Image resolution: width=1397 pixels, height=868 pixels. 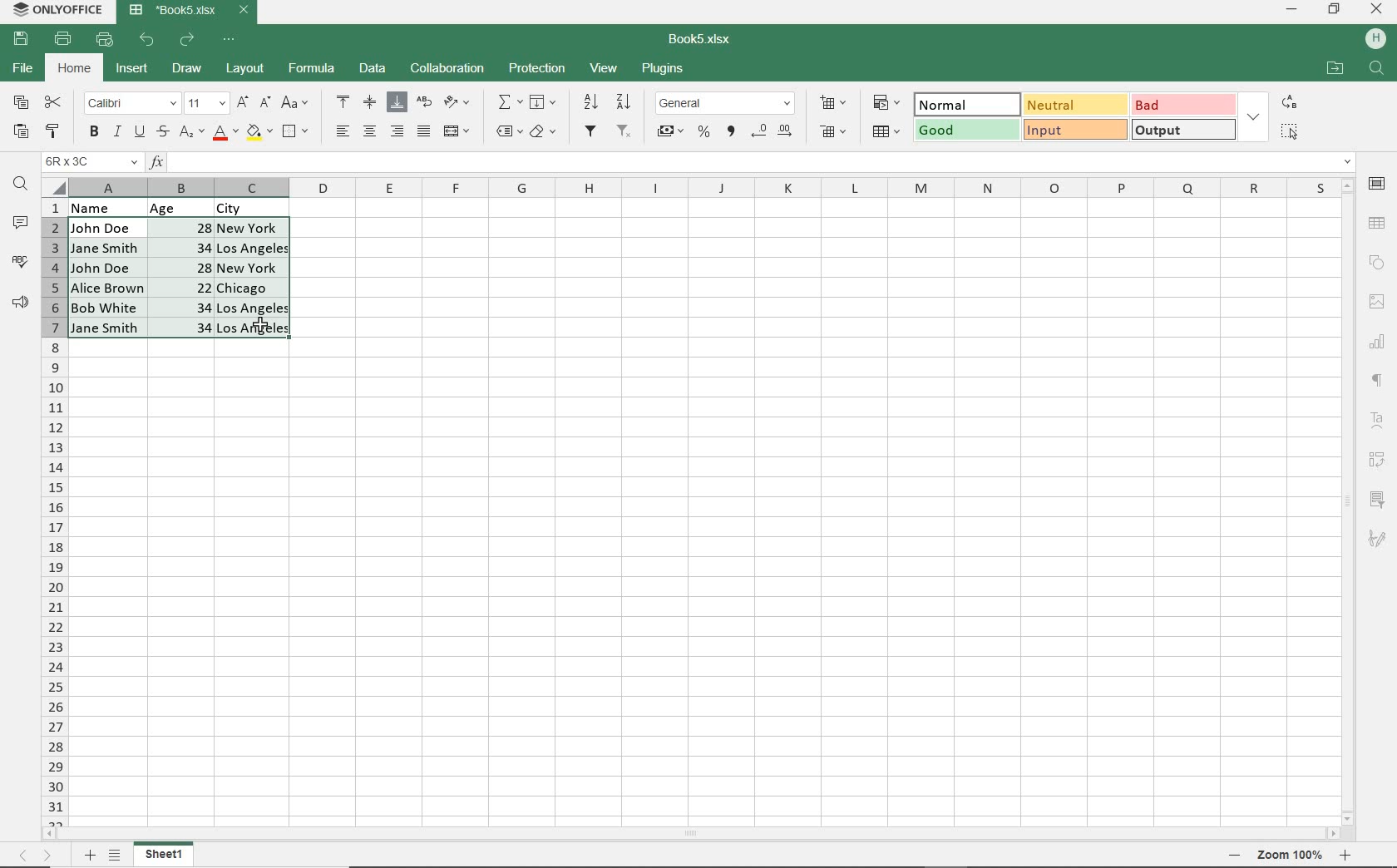 I want to click on MERGE & CENTER, so click(x=457, y=131).